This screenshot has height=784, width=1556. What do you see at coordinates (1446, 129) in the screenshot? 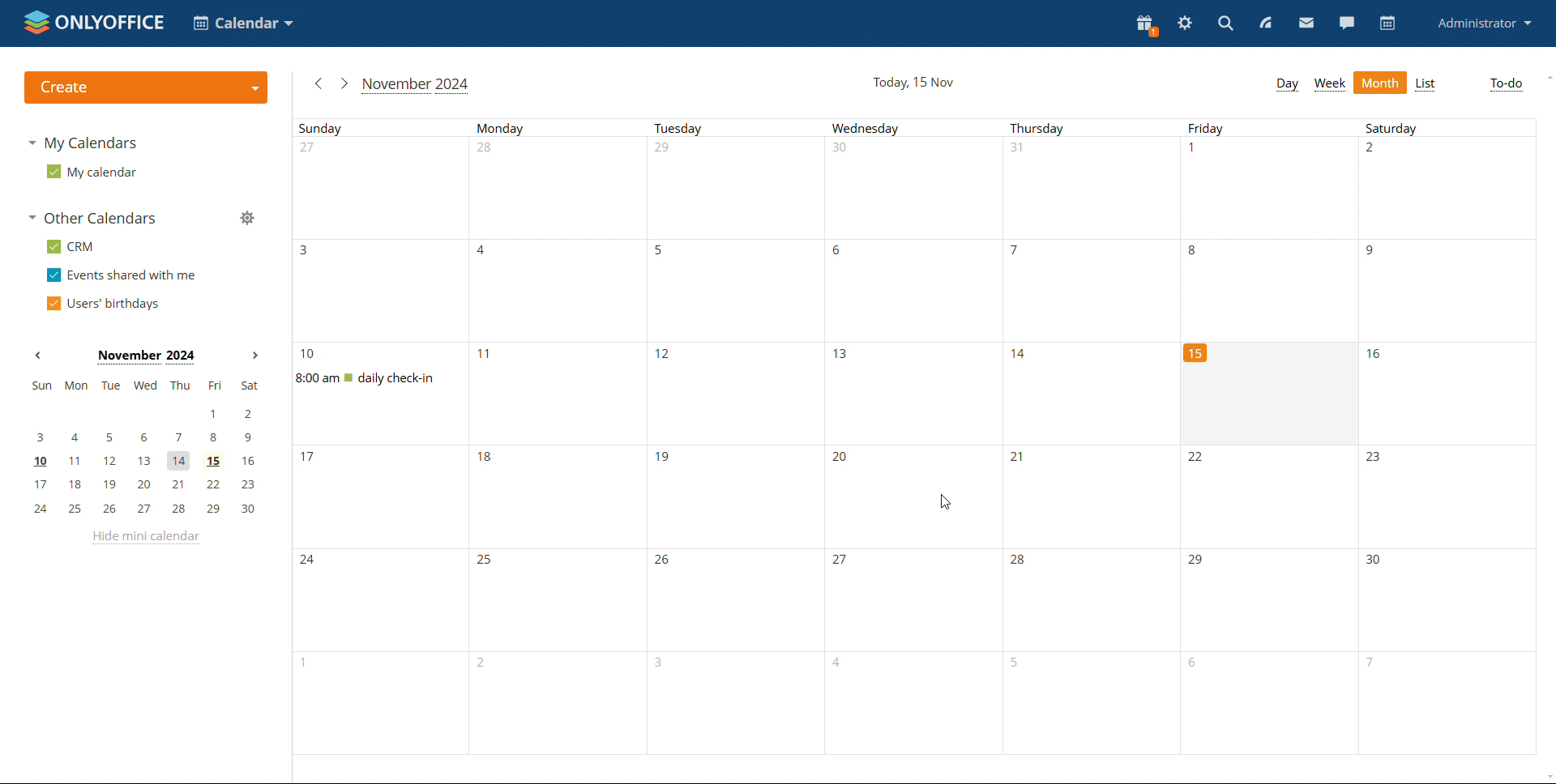
I see `individual day` at bounding box center [1446, 129].